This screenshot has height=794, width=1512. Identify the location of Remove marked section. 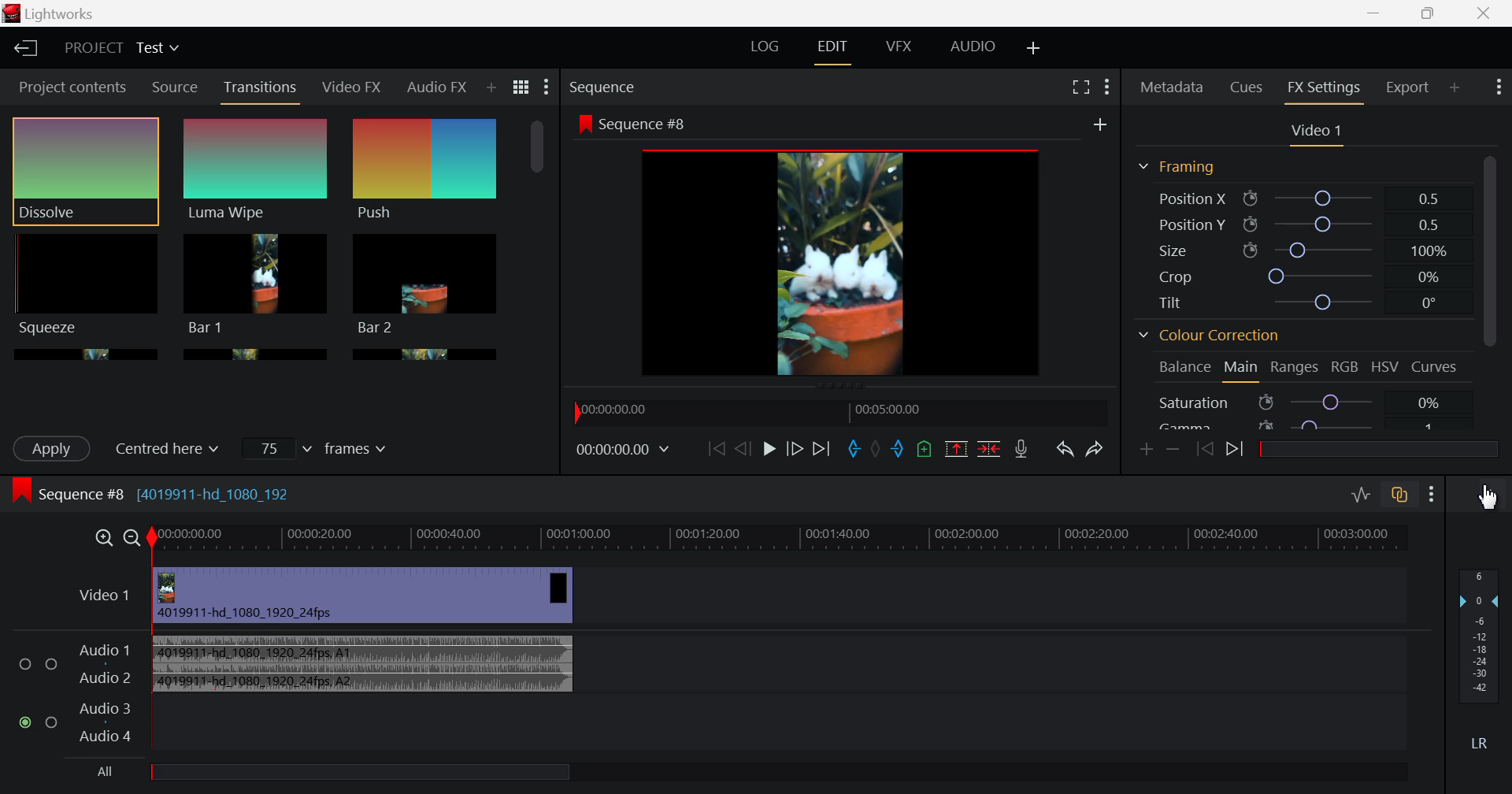
(956, 447).